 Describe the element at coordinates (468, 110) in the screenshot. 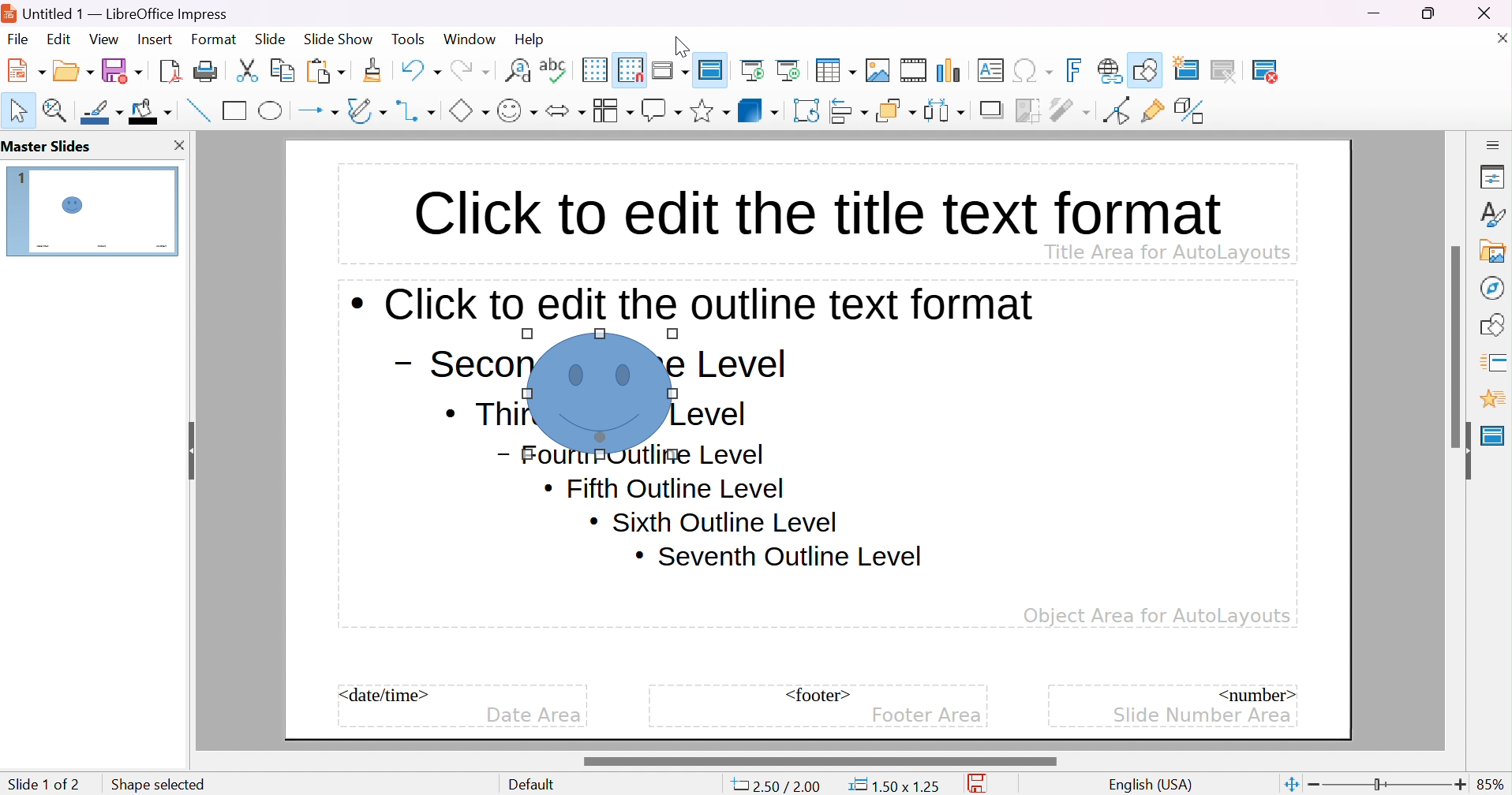

I see `basic shapes` at that location.